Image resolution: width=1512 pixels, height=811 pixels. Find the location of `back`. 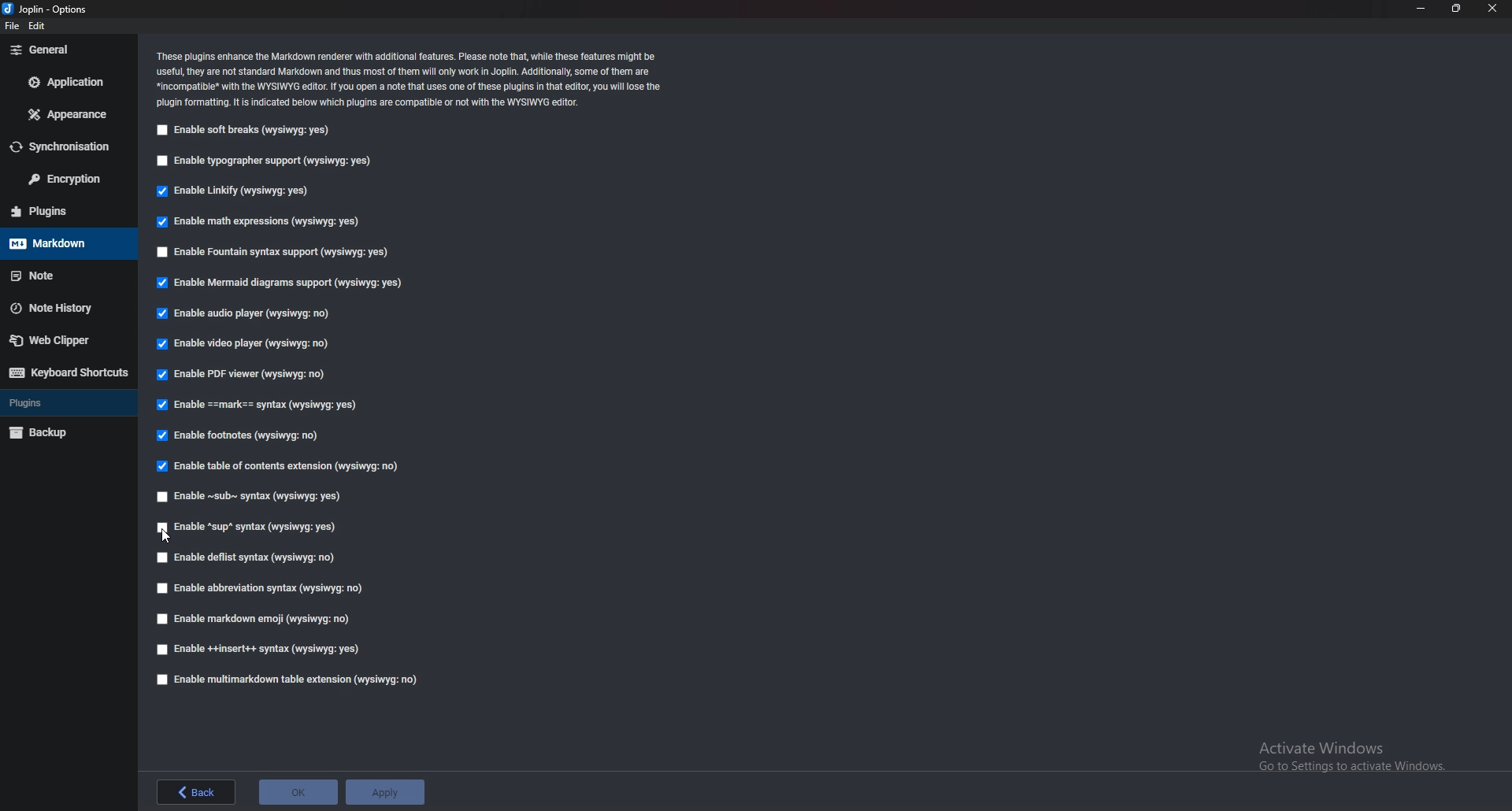

back is located at coordinates (196, 793).